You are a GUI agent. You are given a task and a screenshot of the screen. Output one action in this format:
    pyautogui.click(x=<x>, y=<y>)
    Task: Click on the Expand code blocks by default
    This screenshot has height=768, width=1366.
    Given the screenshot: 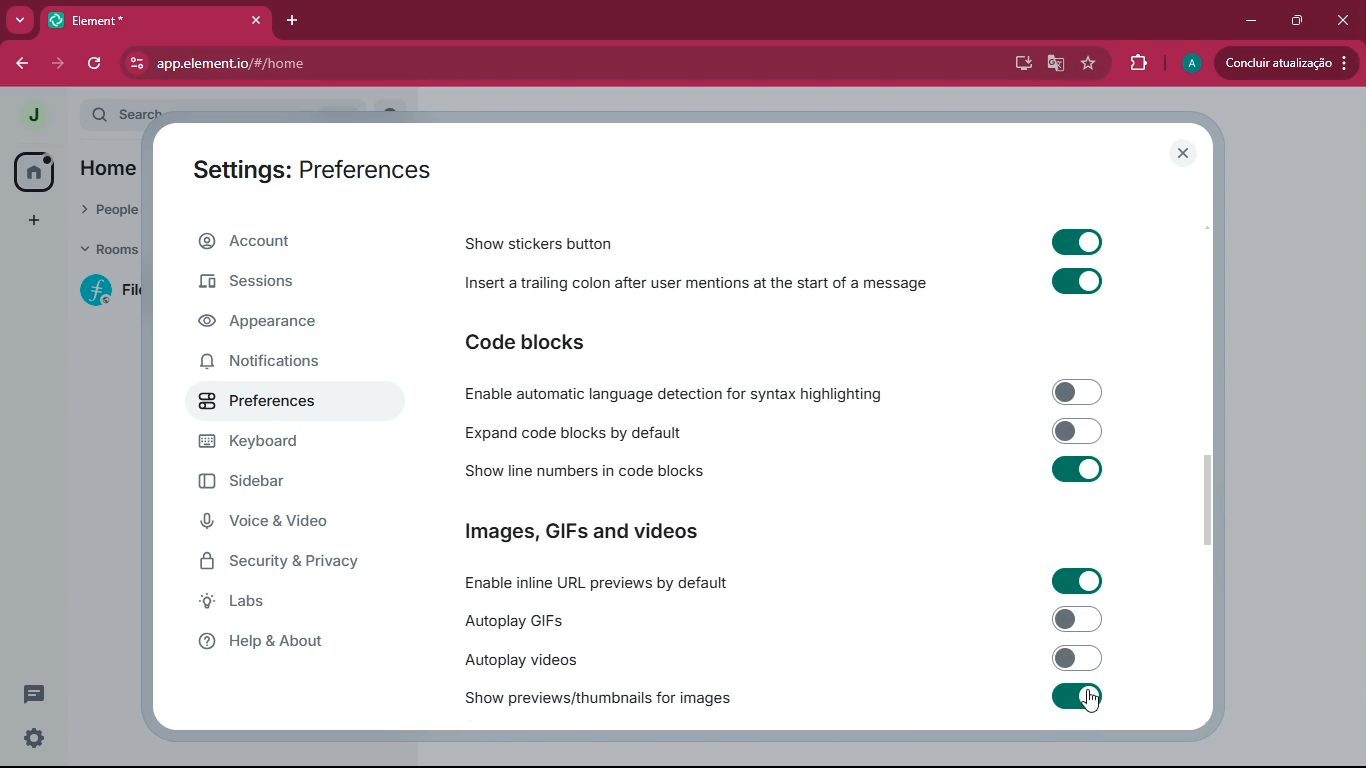 What is the action you would take?
    pyautogui.click(x=575, y=433)
    